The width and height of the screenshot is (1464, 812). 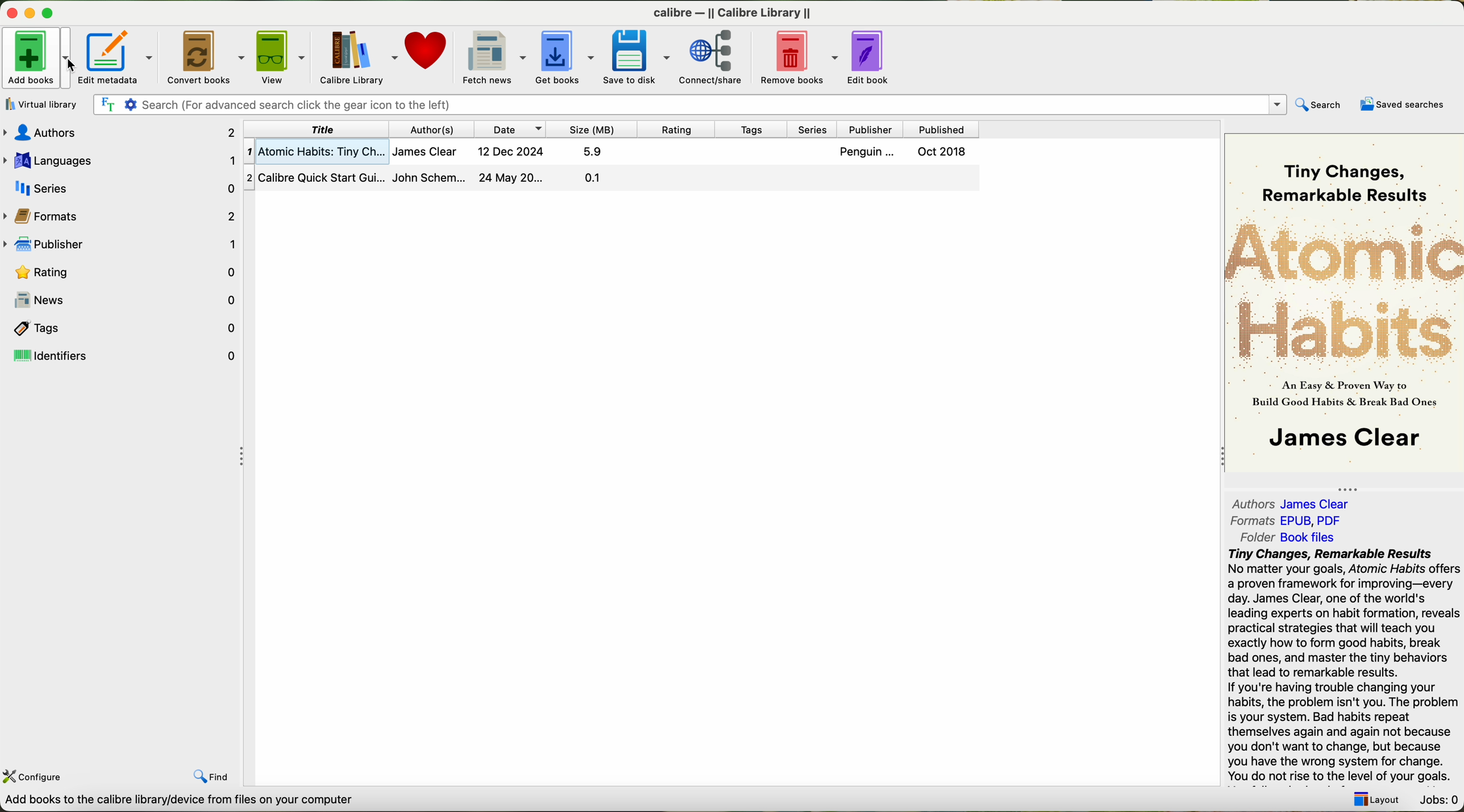 I want to click on get books, so click(x=563, y=57).